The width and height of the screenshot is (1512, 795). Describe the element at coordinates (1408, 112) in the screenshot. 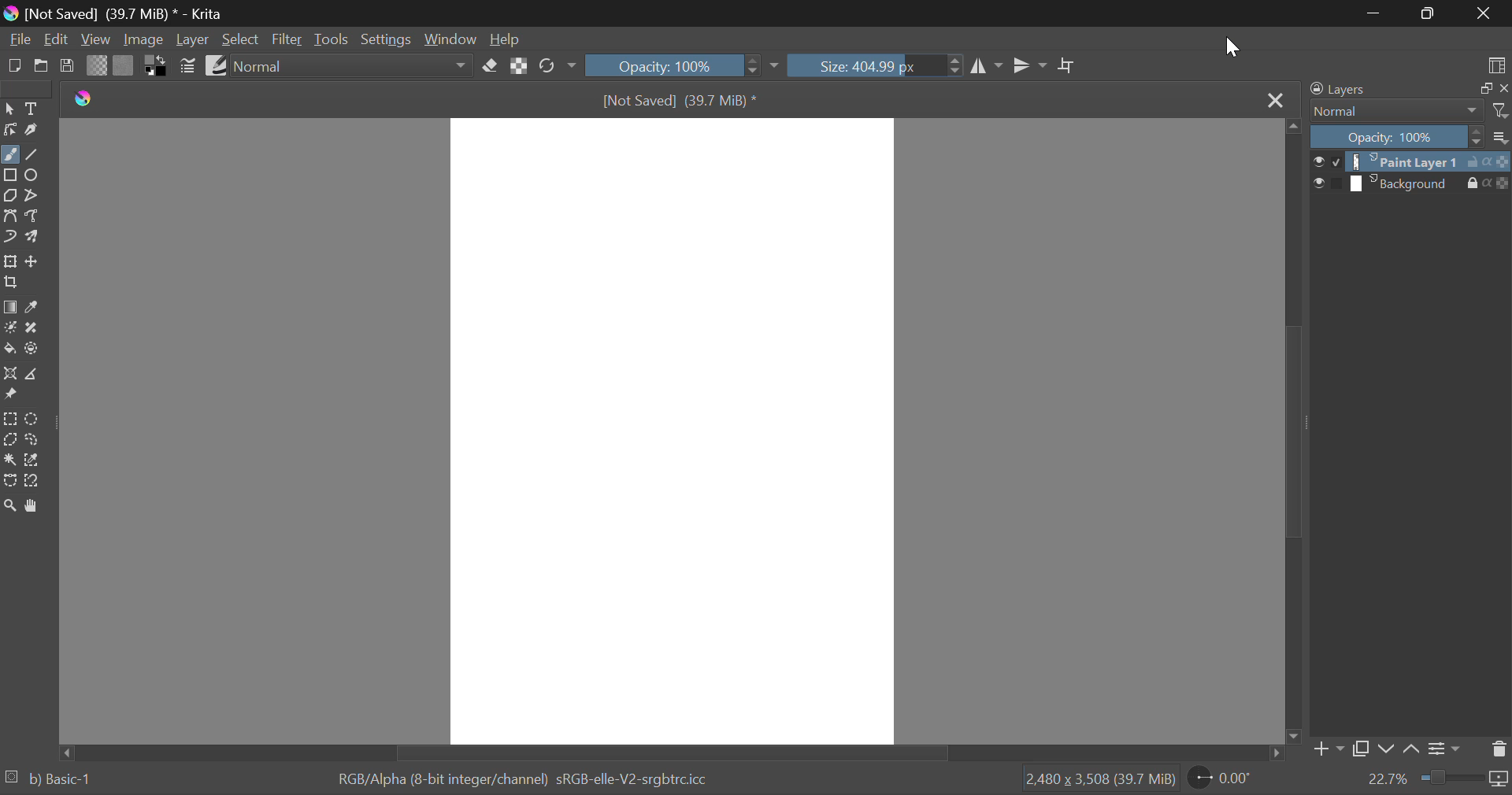

I see `Blending Mode` at that location.